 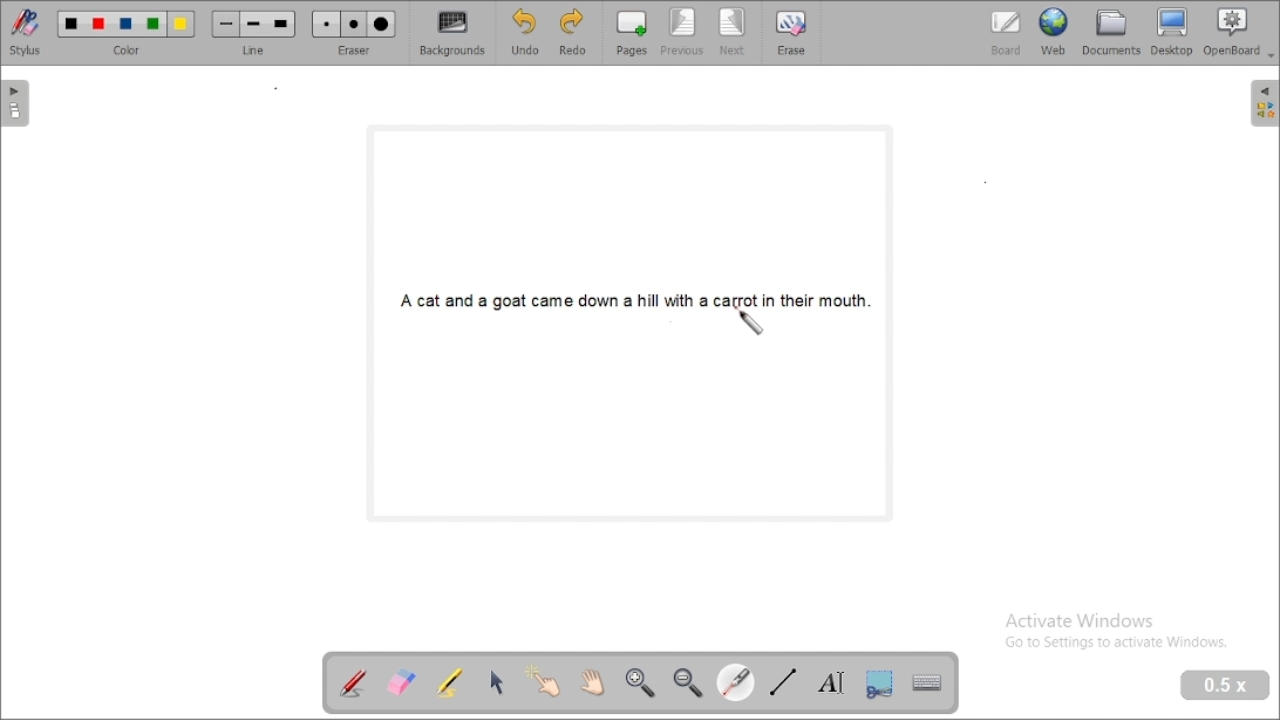 I want to click on pages, so click(x=631, y=33).